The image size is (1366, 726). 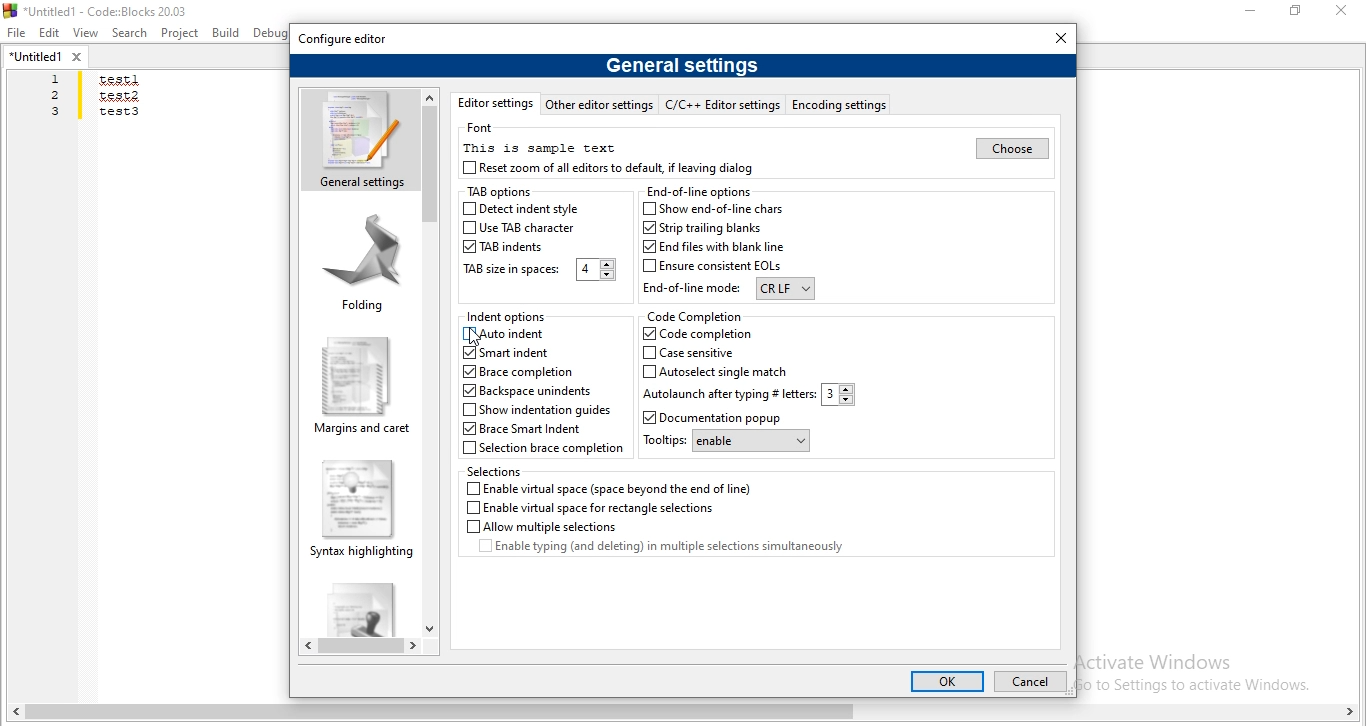 I want to click on Use TAB character, so click(x=520, y=230).